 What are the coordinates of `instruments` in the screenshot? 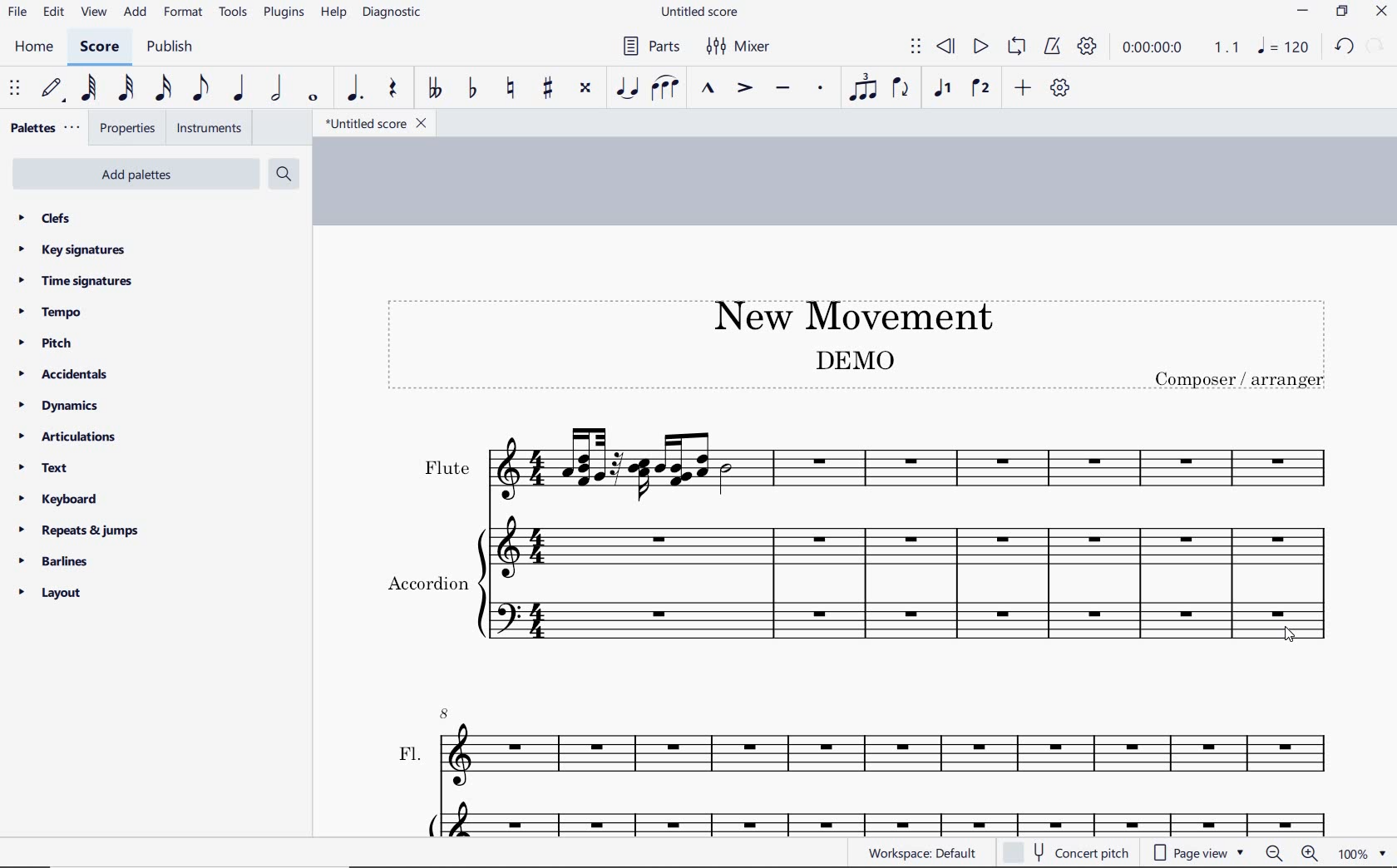 It's located at (206, 129).